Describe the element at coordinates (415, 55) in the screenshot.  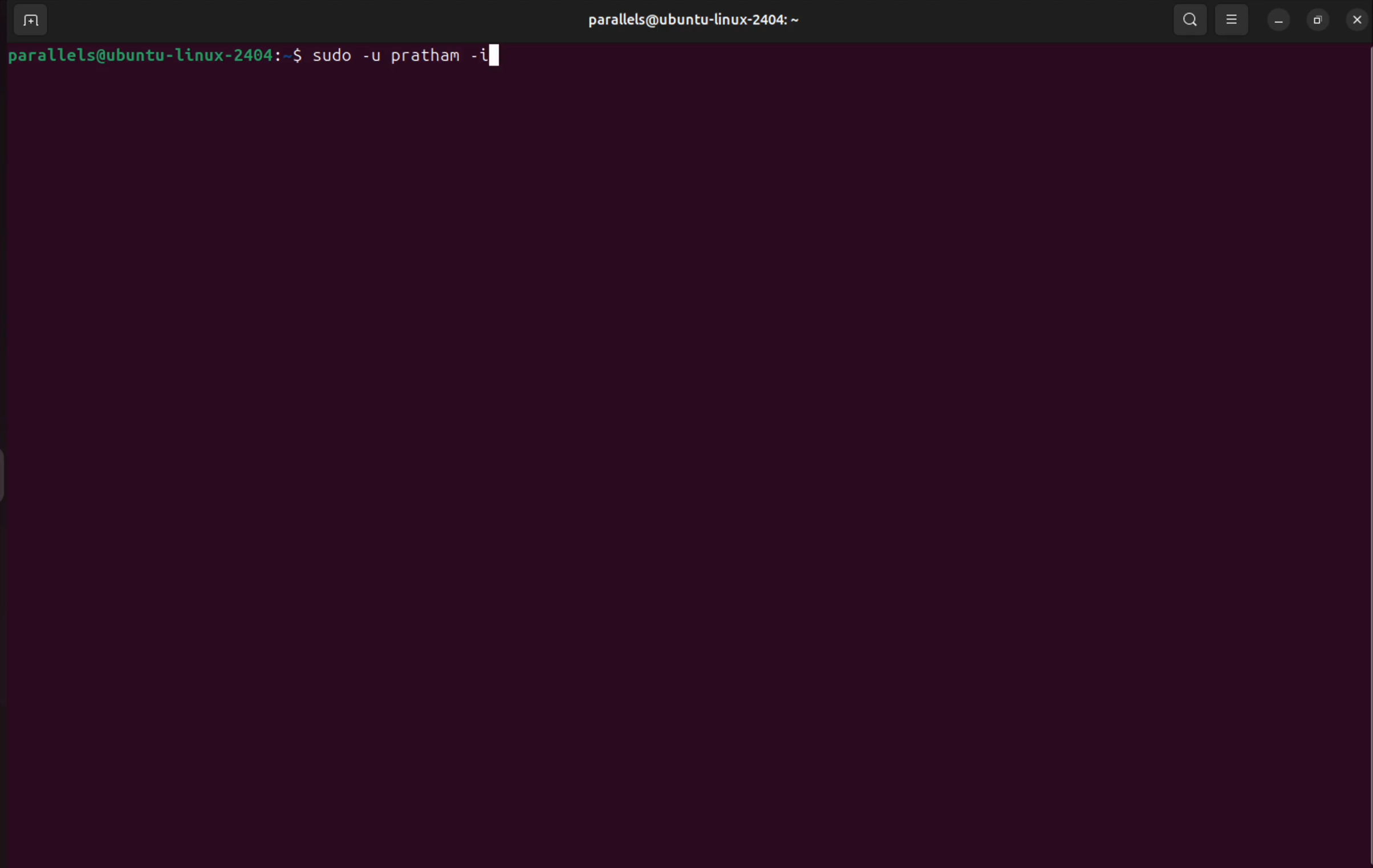
I see `sudo -u <username> -i` at that location.